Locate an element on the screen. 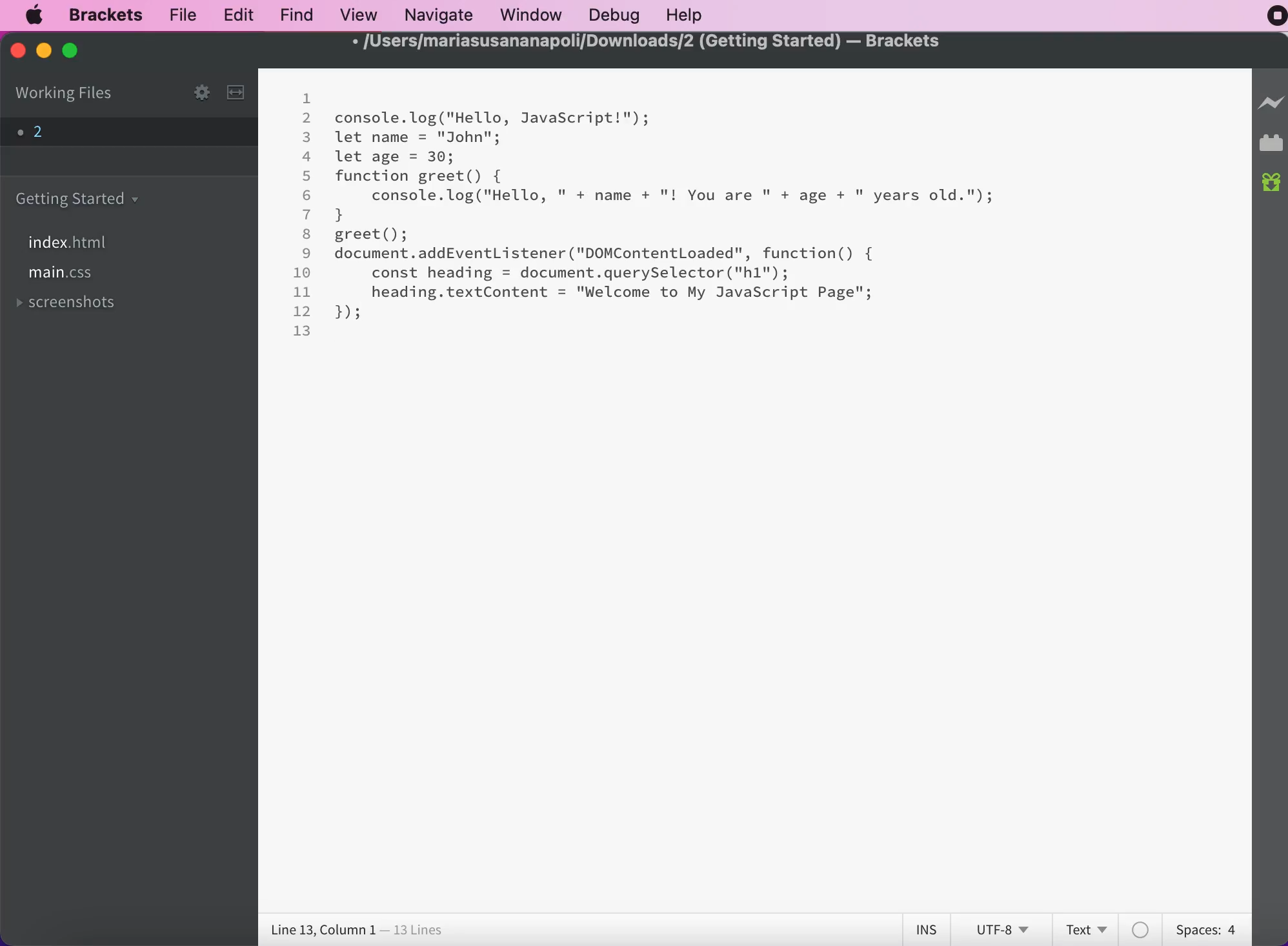 This screenshot has width=1288, height=946. text is located at coordinates (1086, 928).